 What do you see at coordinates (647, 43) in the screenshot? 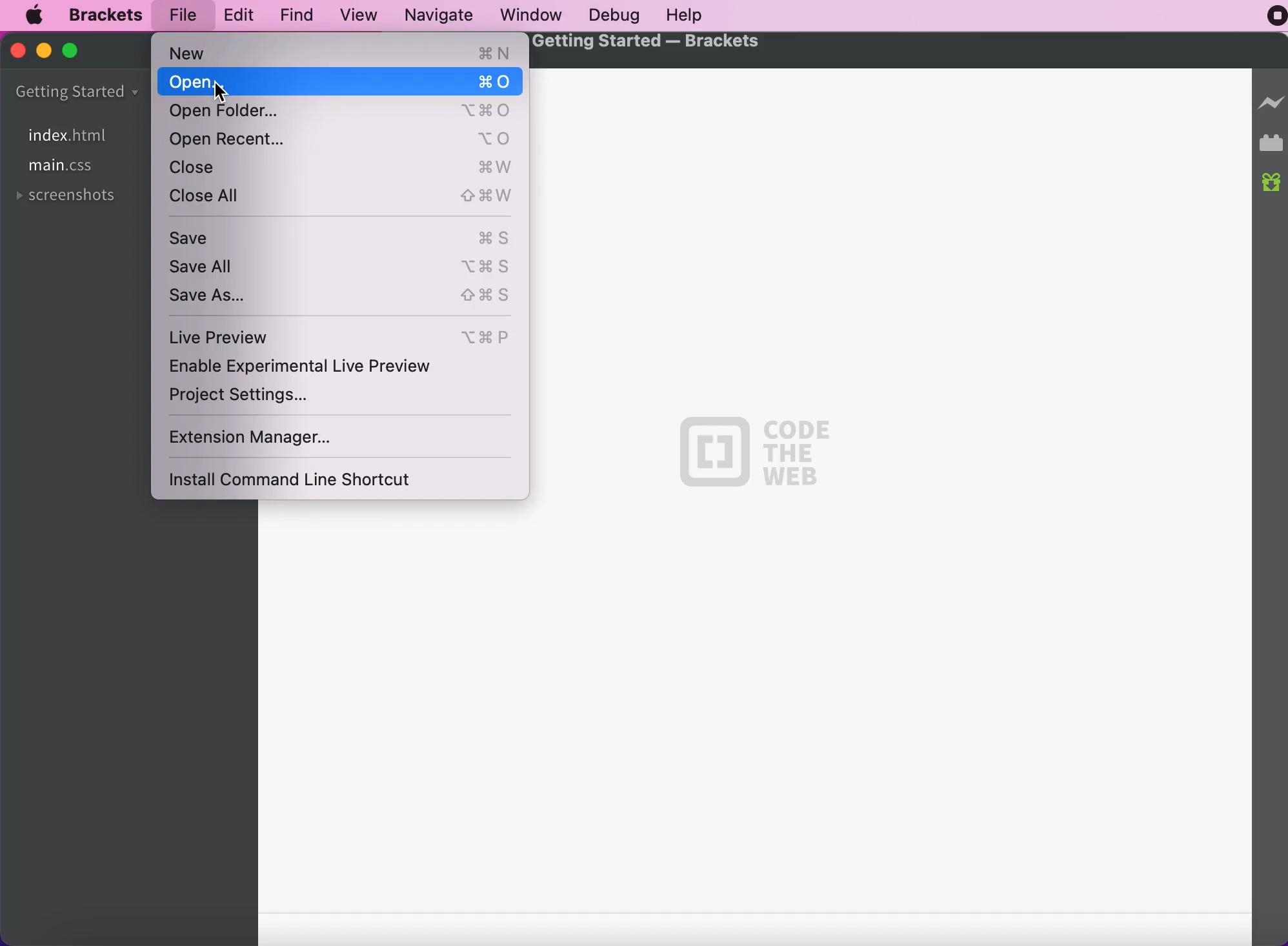
I see `Getting started - brackets` at bounding box center [647, 43].